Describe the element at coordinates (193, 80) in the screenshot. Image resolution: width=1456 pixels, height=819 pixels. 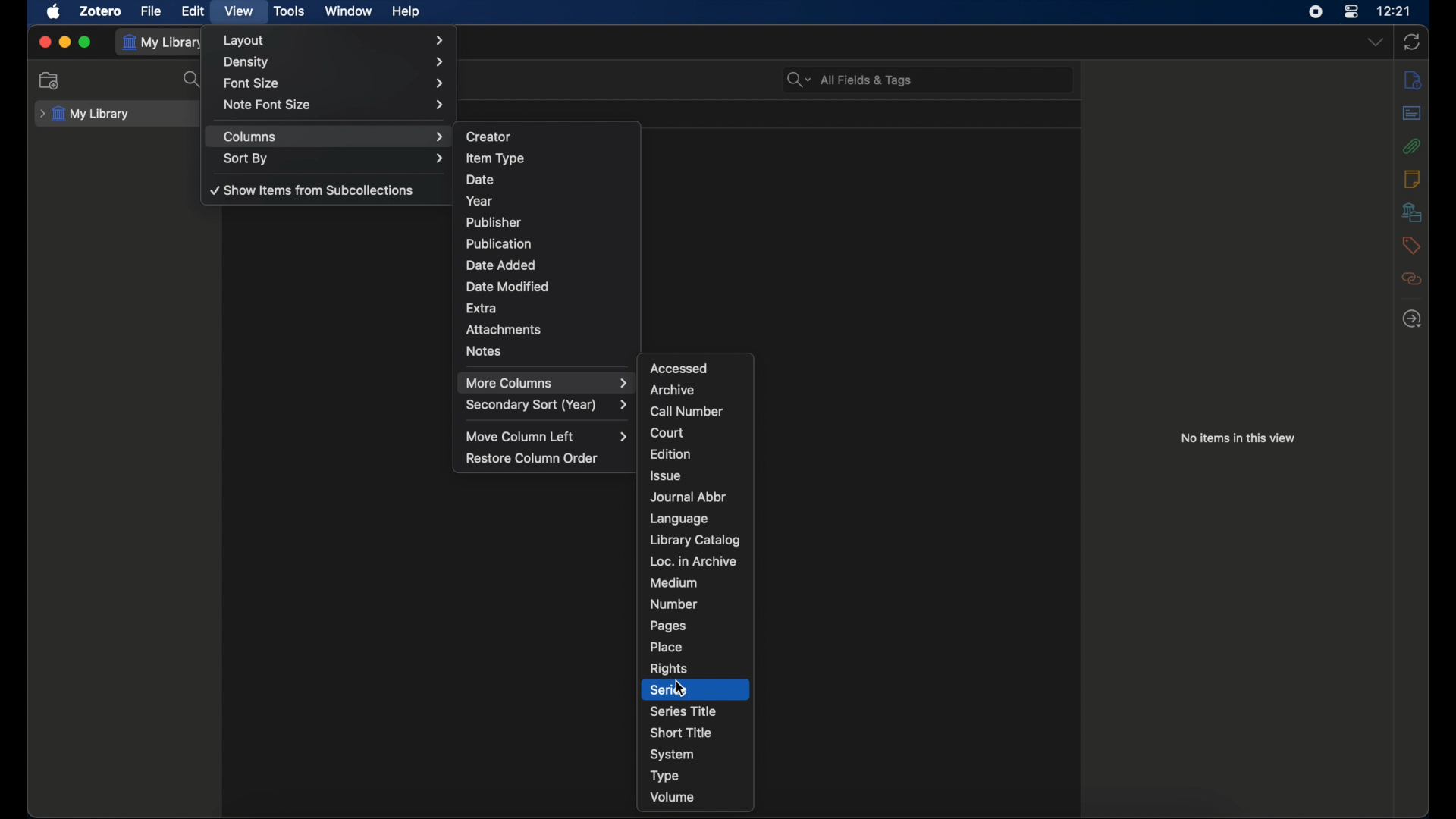
I see `search` at that location.